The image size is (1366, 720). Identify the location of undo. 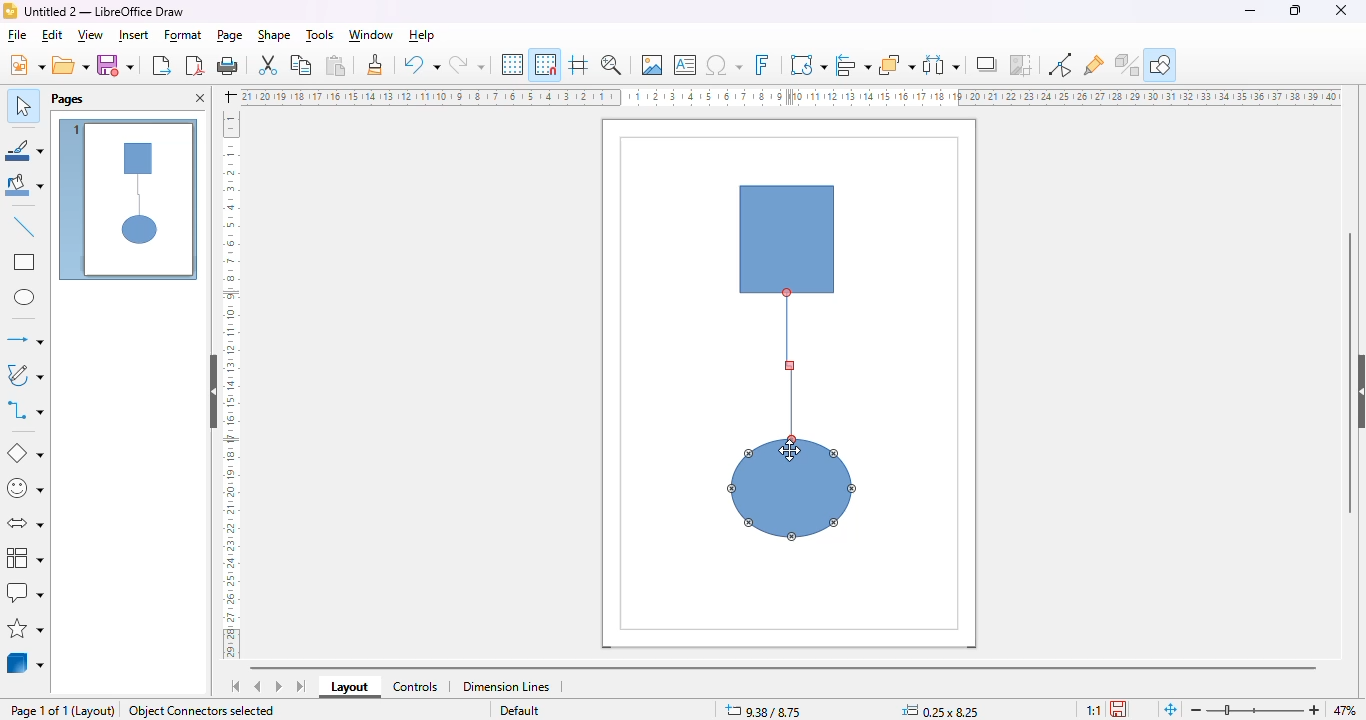
(421, 66).